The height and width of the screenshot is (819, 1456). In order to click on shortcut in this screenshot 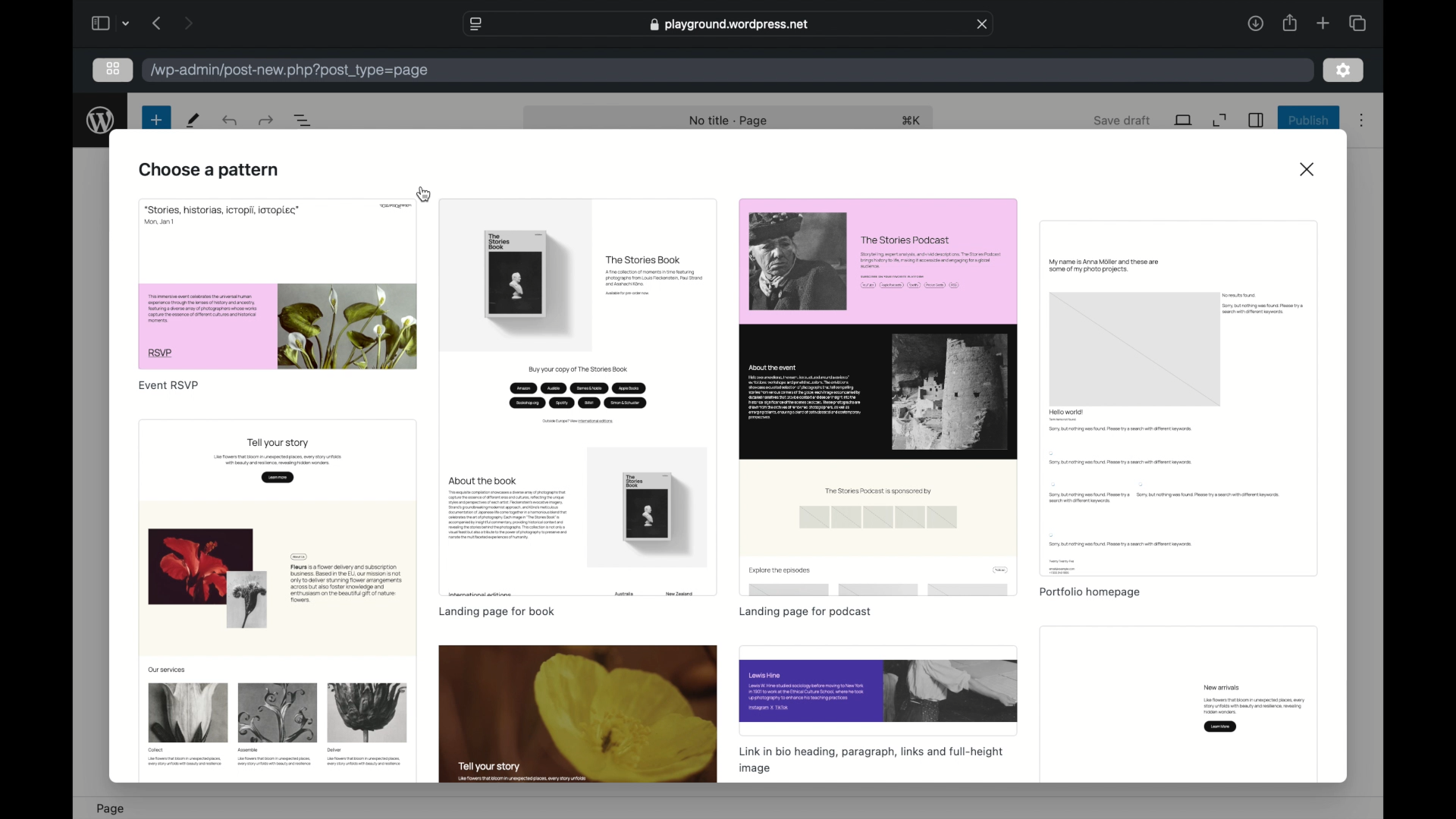, I will do `click(912, 121)`.